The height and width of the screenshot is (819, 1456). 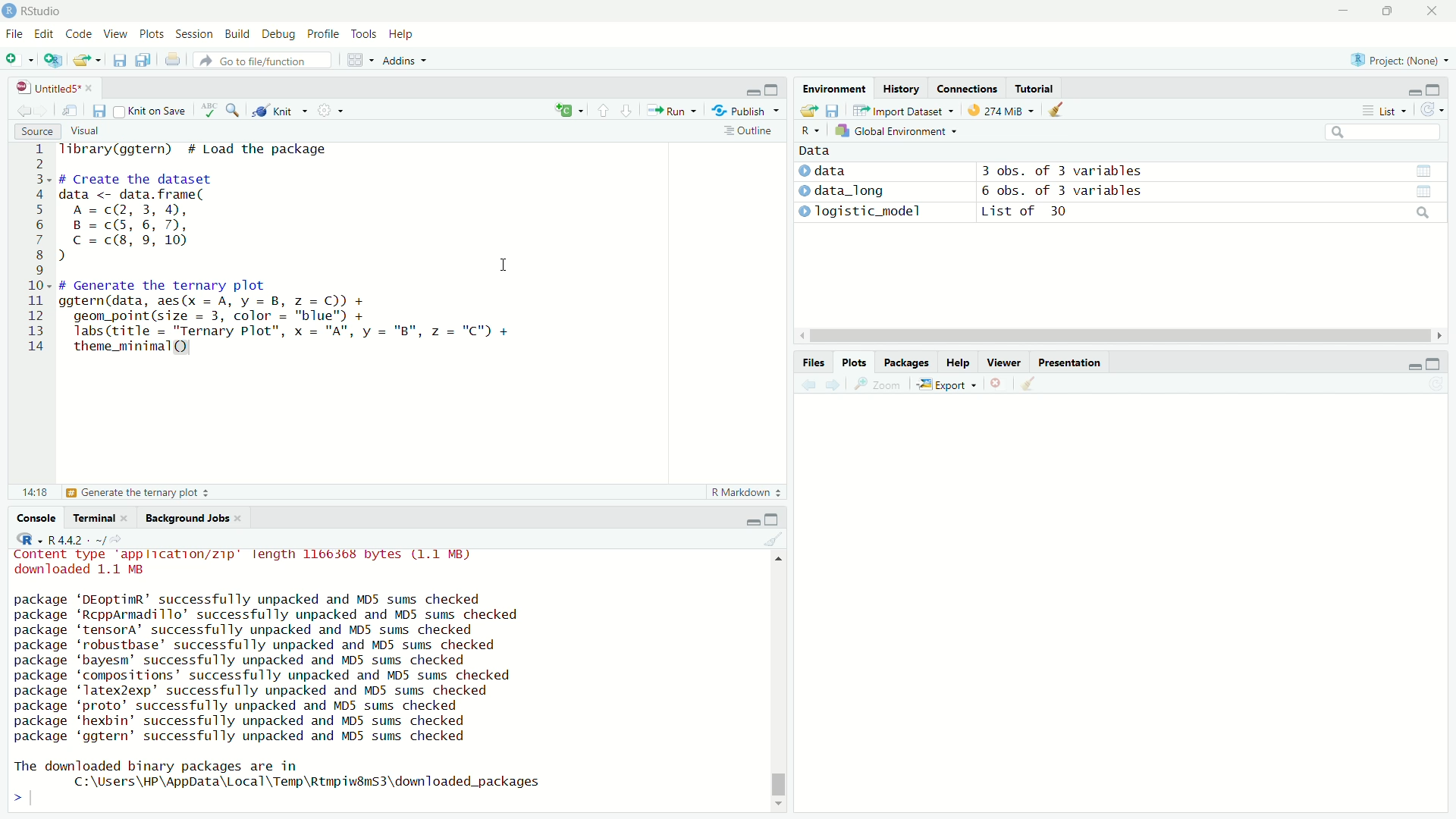 I want to click on Knit, so click(x=281, y=111).